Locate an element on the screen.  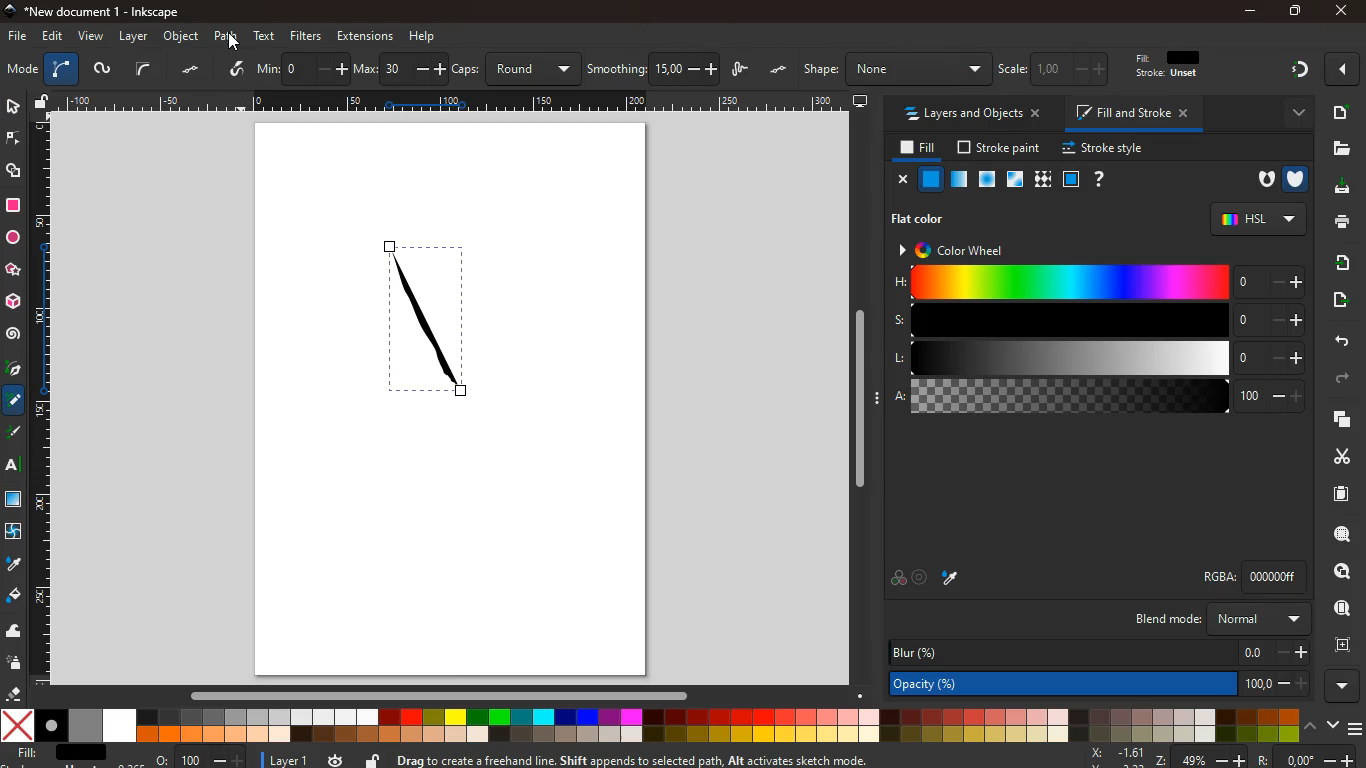
layers and objects is located at coordinates (971, 113).